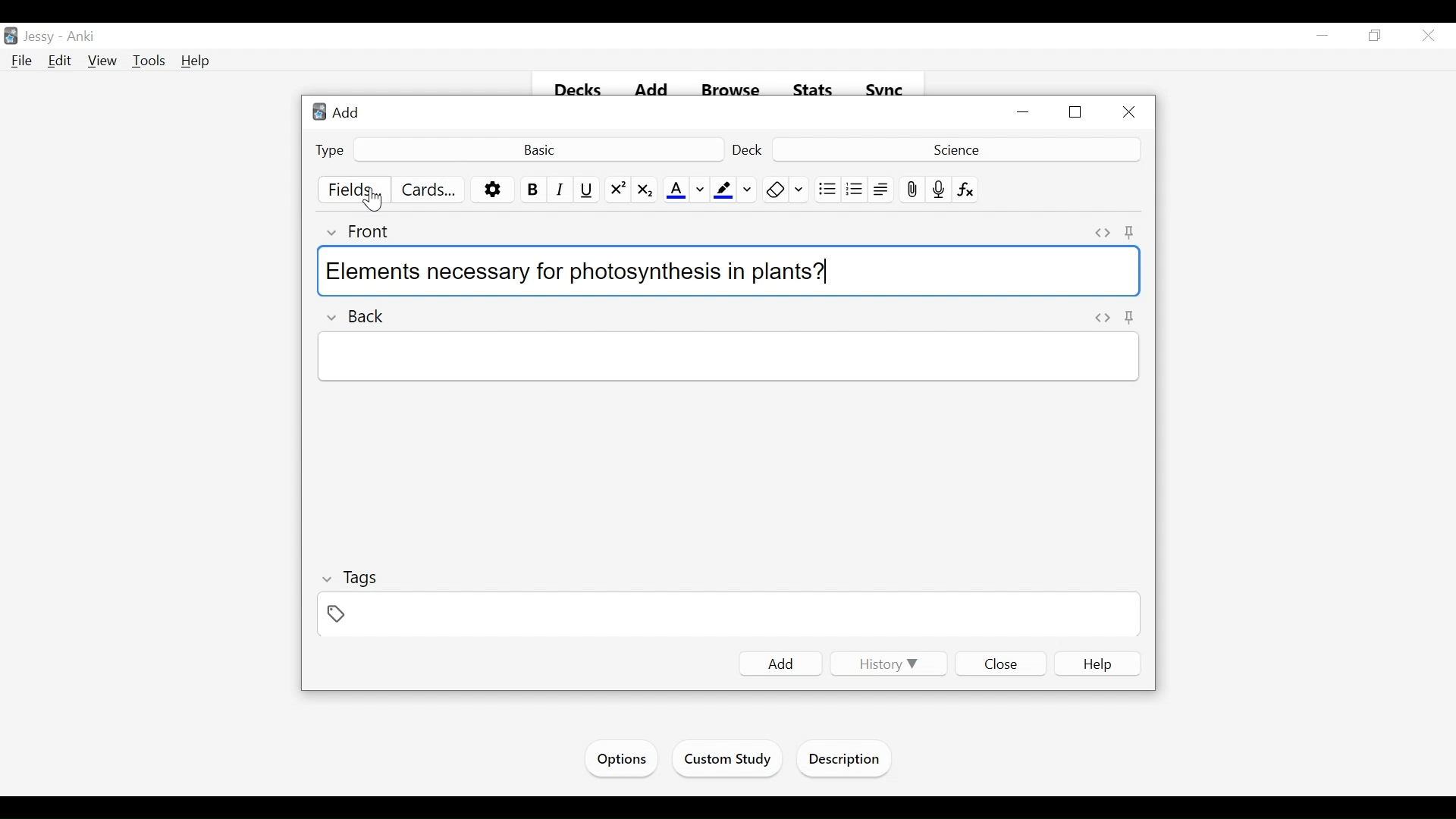 This screenshot has height=819, width=1456. I want to click on Custom Study, so click(729, 761).